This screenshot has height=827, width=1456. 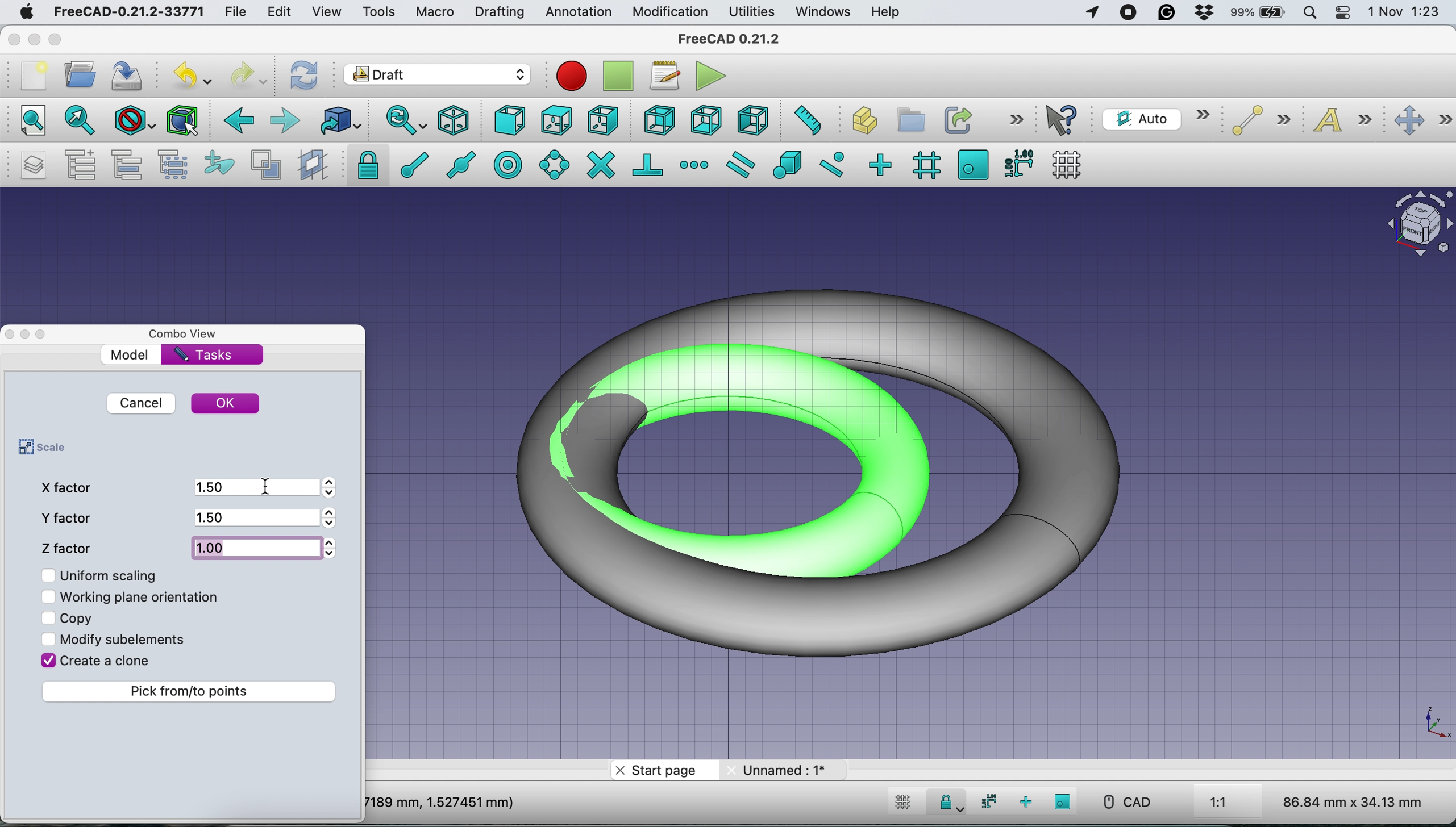 What do you see at coordinates (265, 165) in the screenshot?
I see `toggle normal/wireframe display` at bounding box center [265, 165].